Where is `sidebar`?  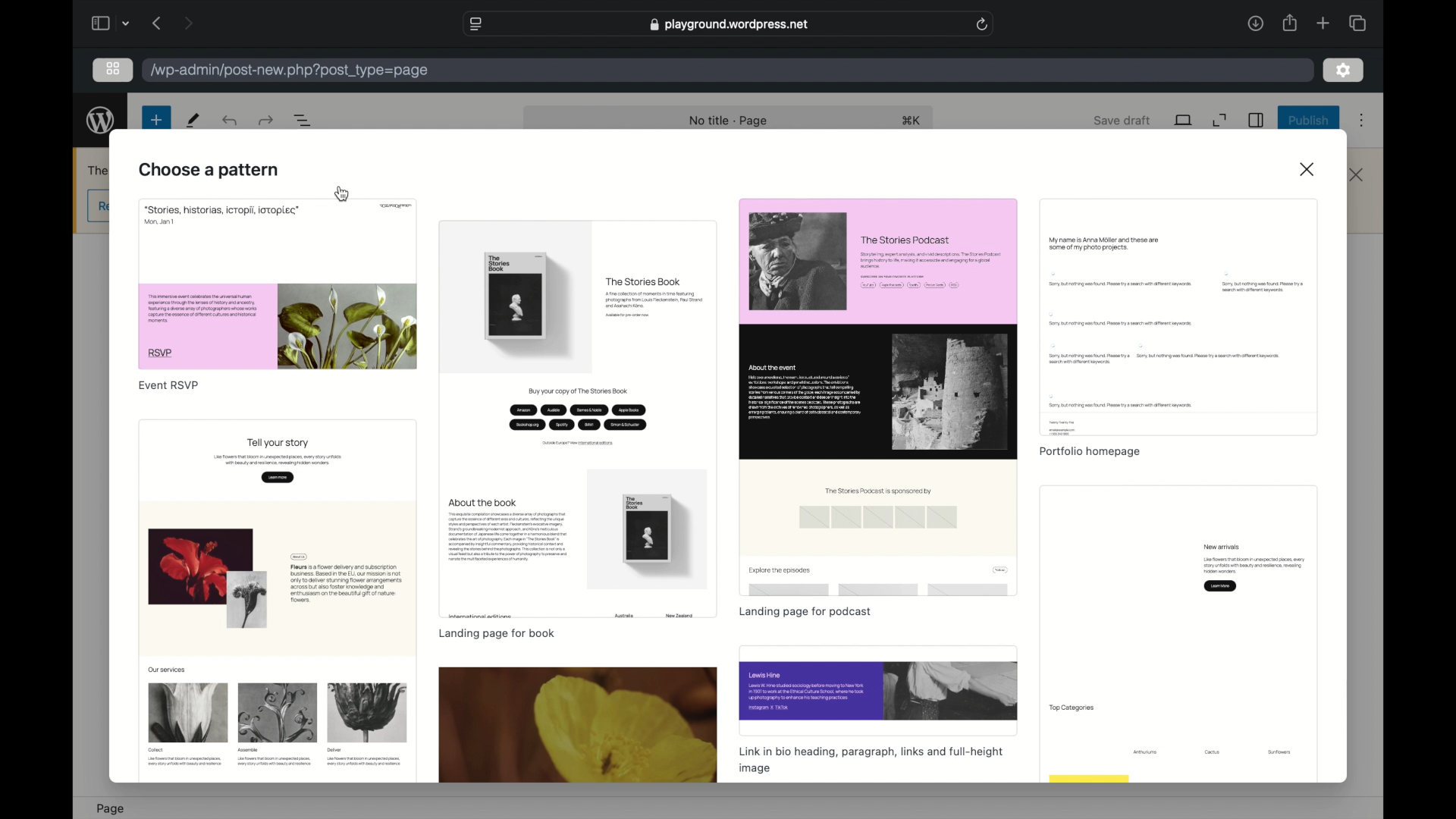
sidebar is located at coordinates (99, 23).